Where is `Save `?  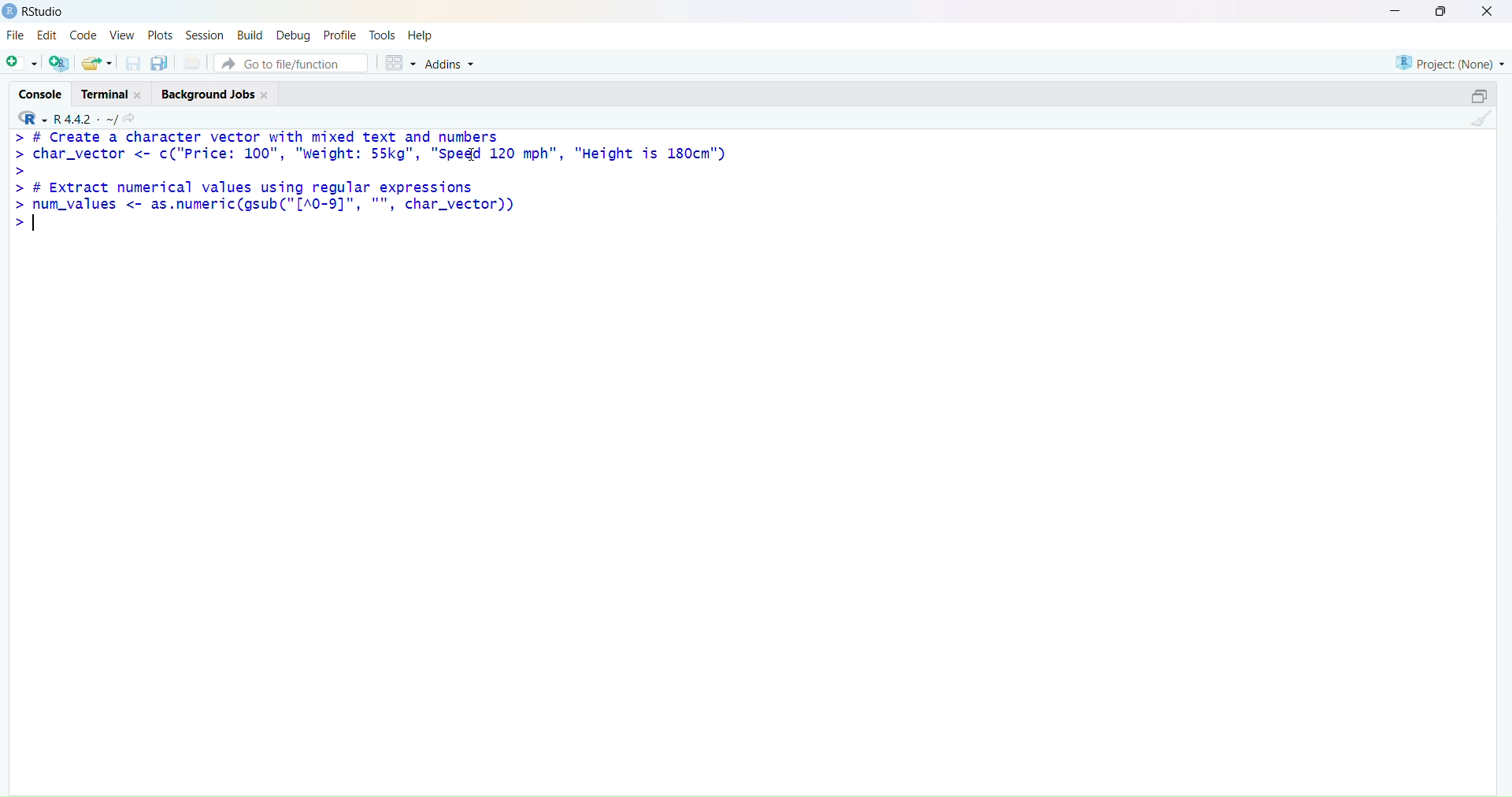 Save  is located at coordinates (134, 63).